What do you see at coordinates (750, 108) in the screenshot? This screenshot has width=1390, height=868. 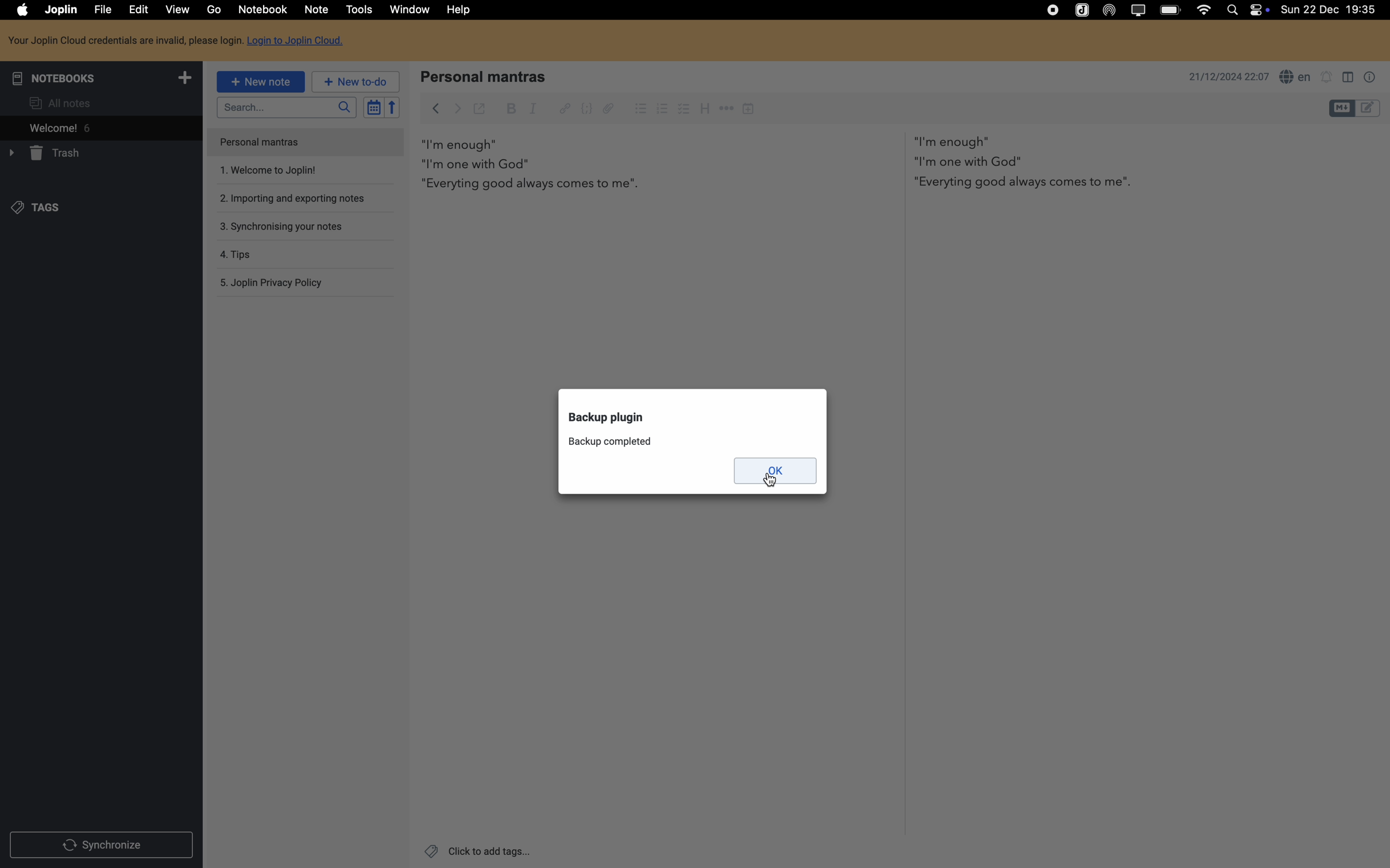 I see `insert time` at bounding box center [750, 108].